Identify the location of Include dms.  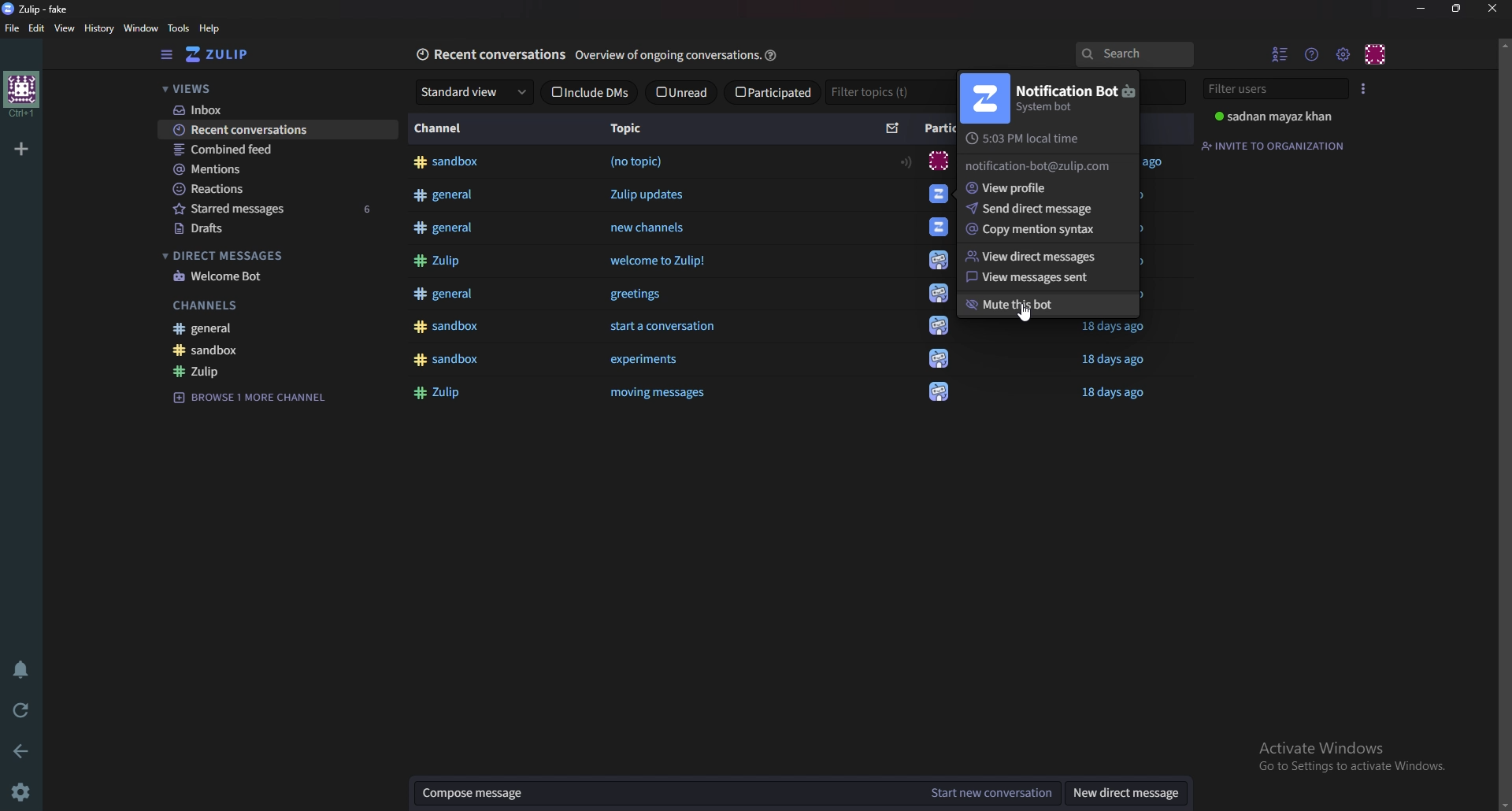
(587, 92).